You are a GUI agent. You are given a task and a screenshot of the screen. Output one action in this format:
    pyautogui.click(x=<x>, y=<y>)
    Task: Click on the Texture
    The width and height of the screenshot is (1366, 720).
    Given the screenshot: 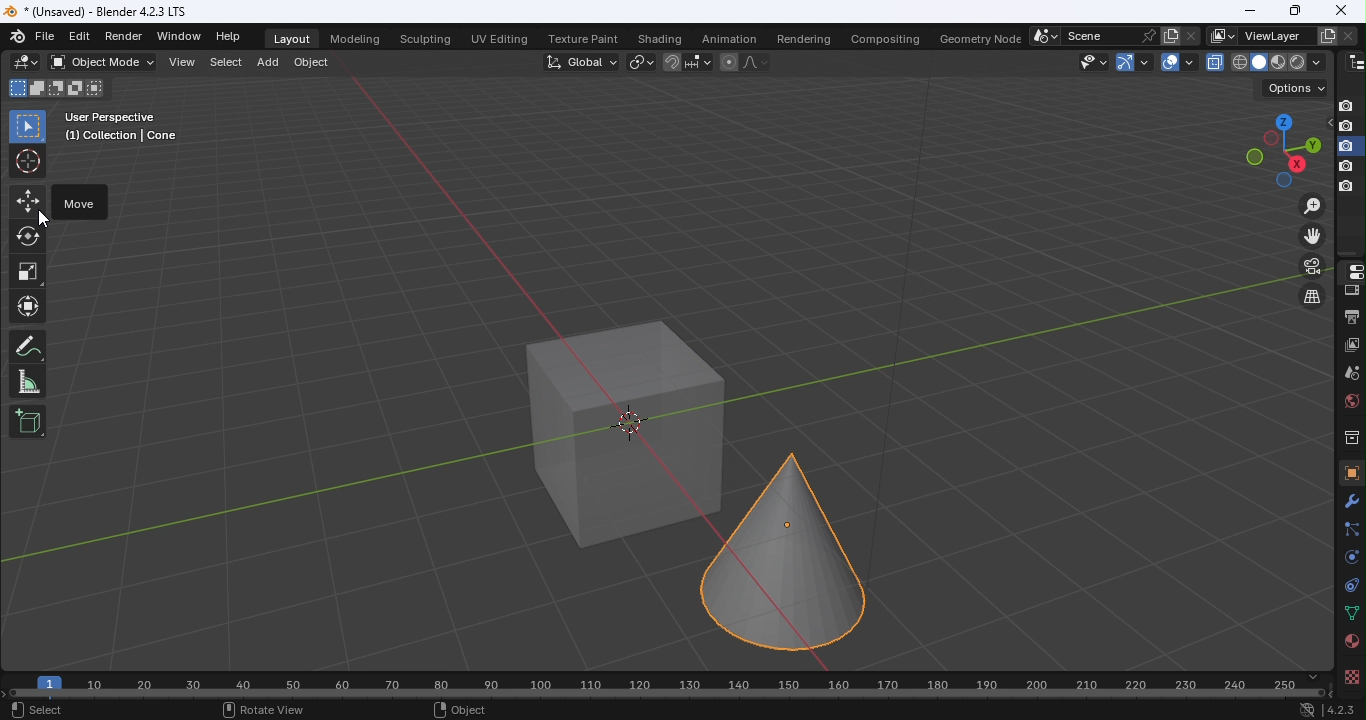 What is the action you would take?
    pyautogui.click(x=1351, y=677)
    